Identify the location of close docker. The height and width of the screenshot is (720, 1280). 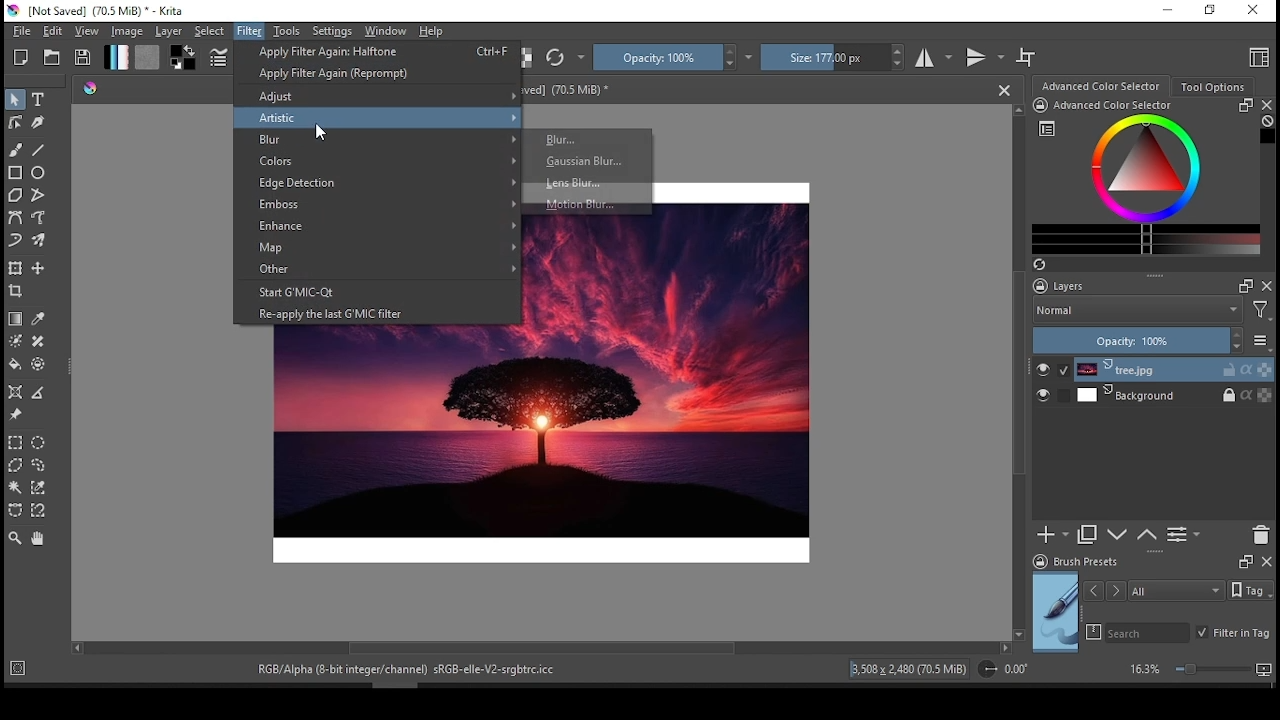
(1267, 103).